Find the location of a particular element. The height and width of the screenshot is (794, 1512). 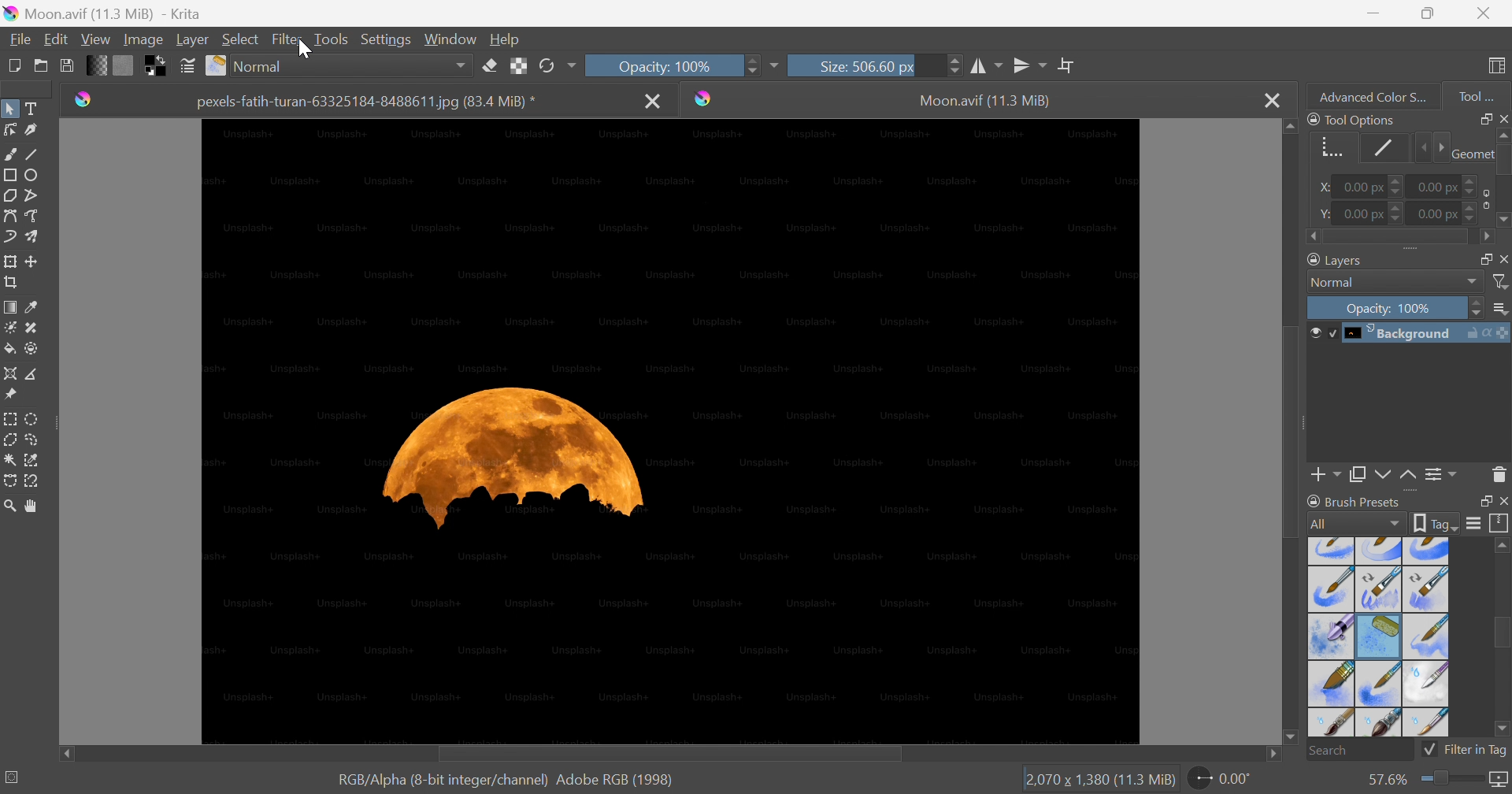

Help is located at coordinates (504, 40).